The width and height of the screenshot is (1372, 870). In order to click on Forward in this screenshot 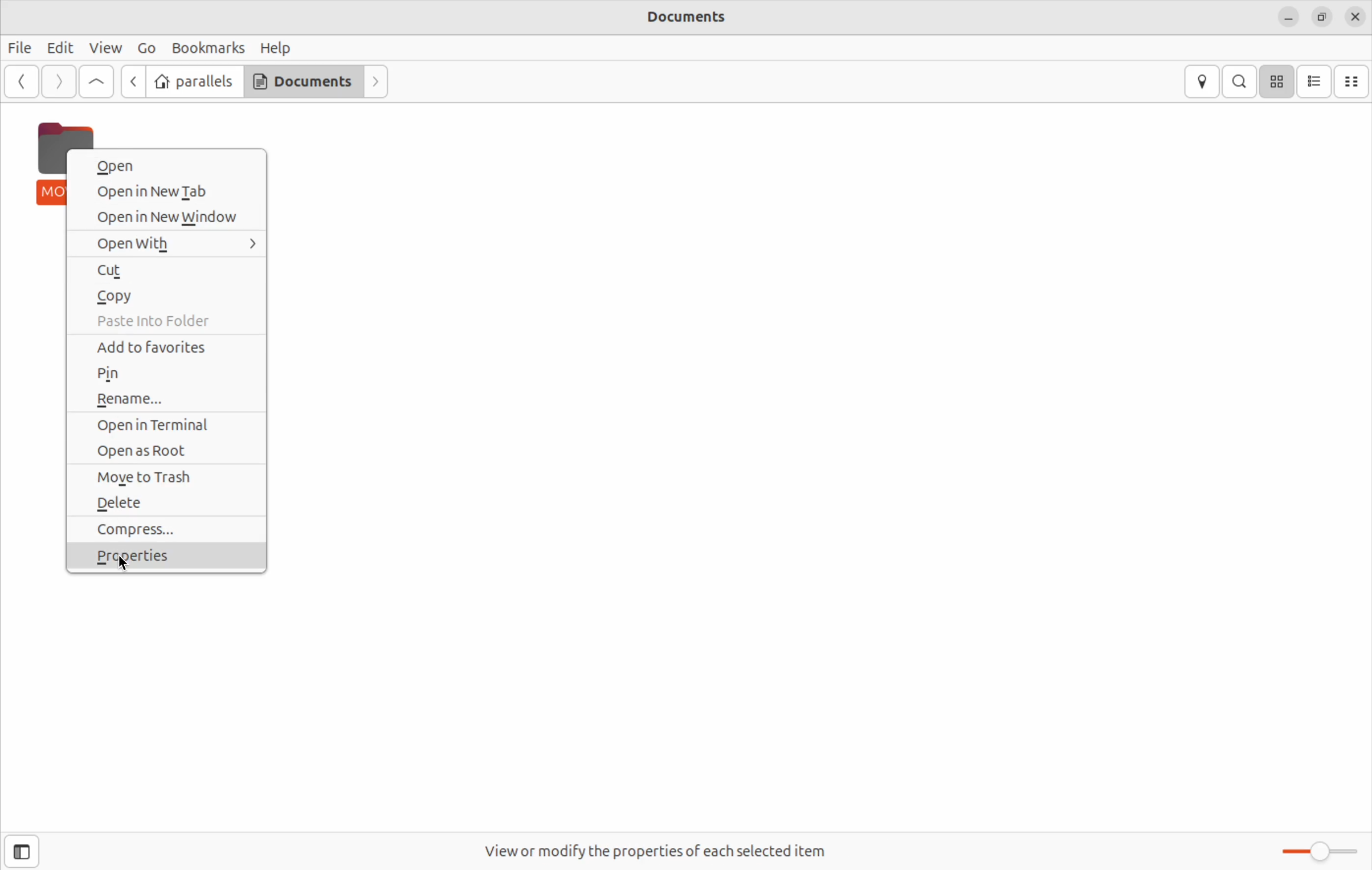, I will do `click(378, 83)`.